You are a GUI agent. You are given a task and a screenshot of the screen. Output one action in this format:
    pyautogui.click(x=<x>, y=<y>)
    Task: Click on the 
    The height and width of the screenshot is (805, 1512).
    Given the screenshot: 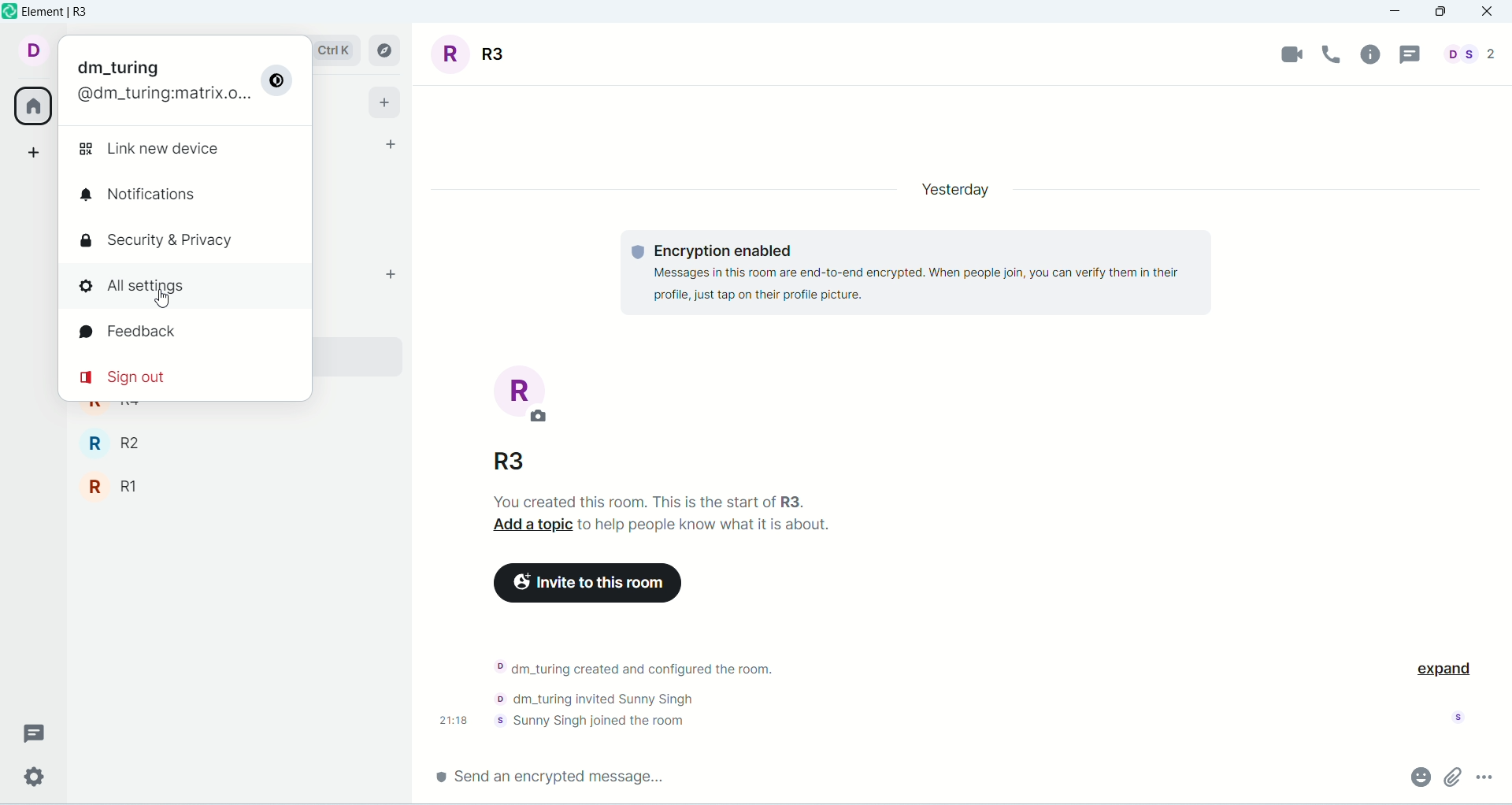 What is the action you would take?
    pyautogui.click(x=512, y=464)
    